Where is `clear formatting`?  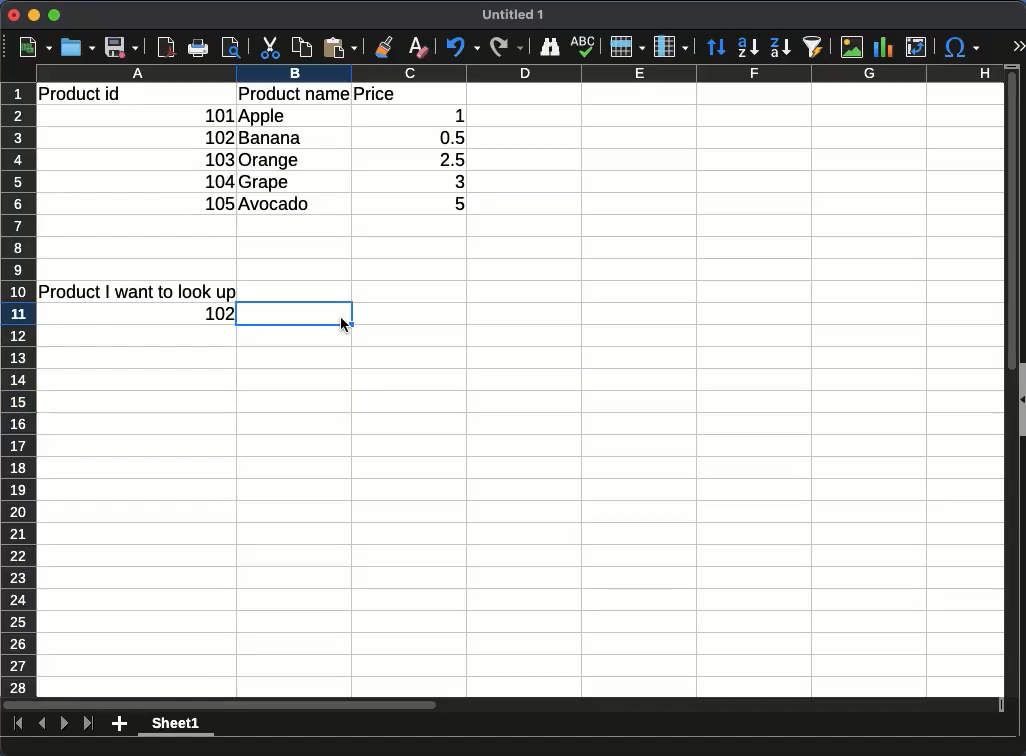 clear formatting is located at coordinates (420, 48).